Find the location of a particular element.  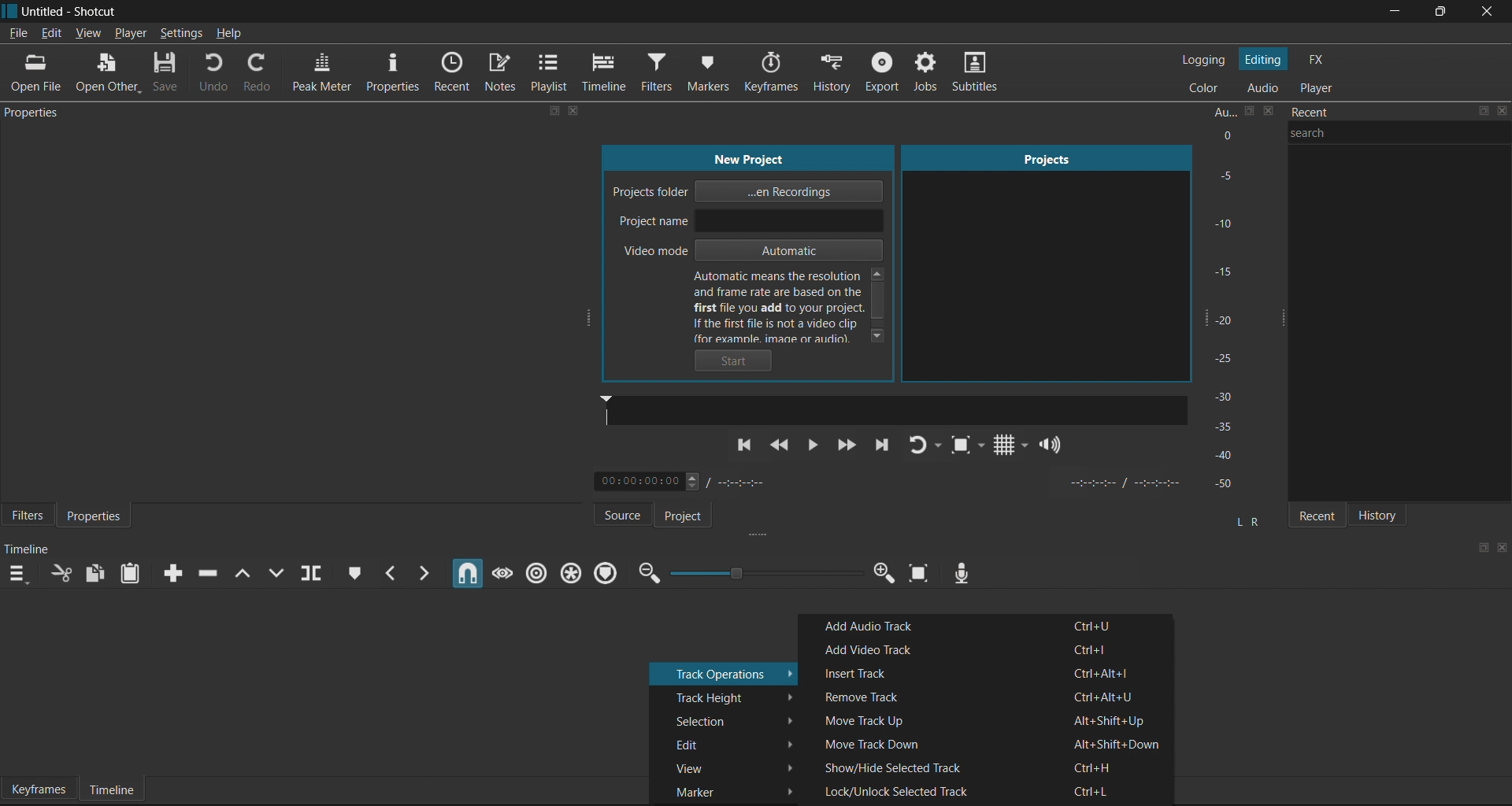

maximize is located at coordinates (1481, 547).